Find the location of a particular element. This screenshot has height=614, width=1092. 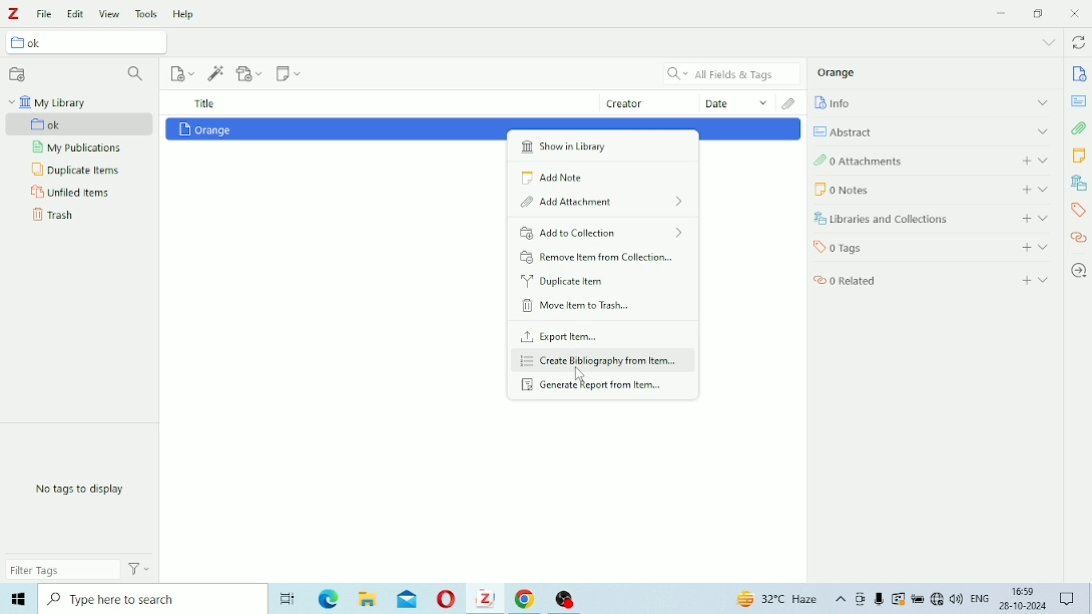

Opera Mini is located at coordinates (447, 600).